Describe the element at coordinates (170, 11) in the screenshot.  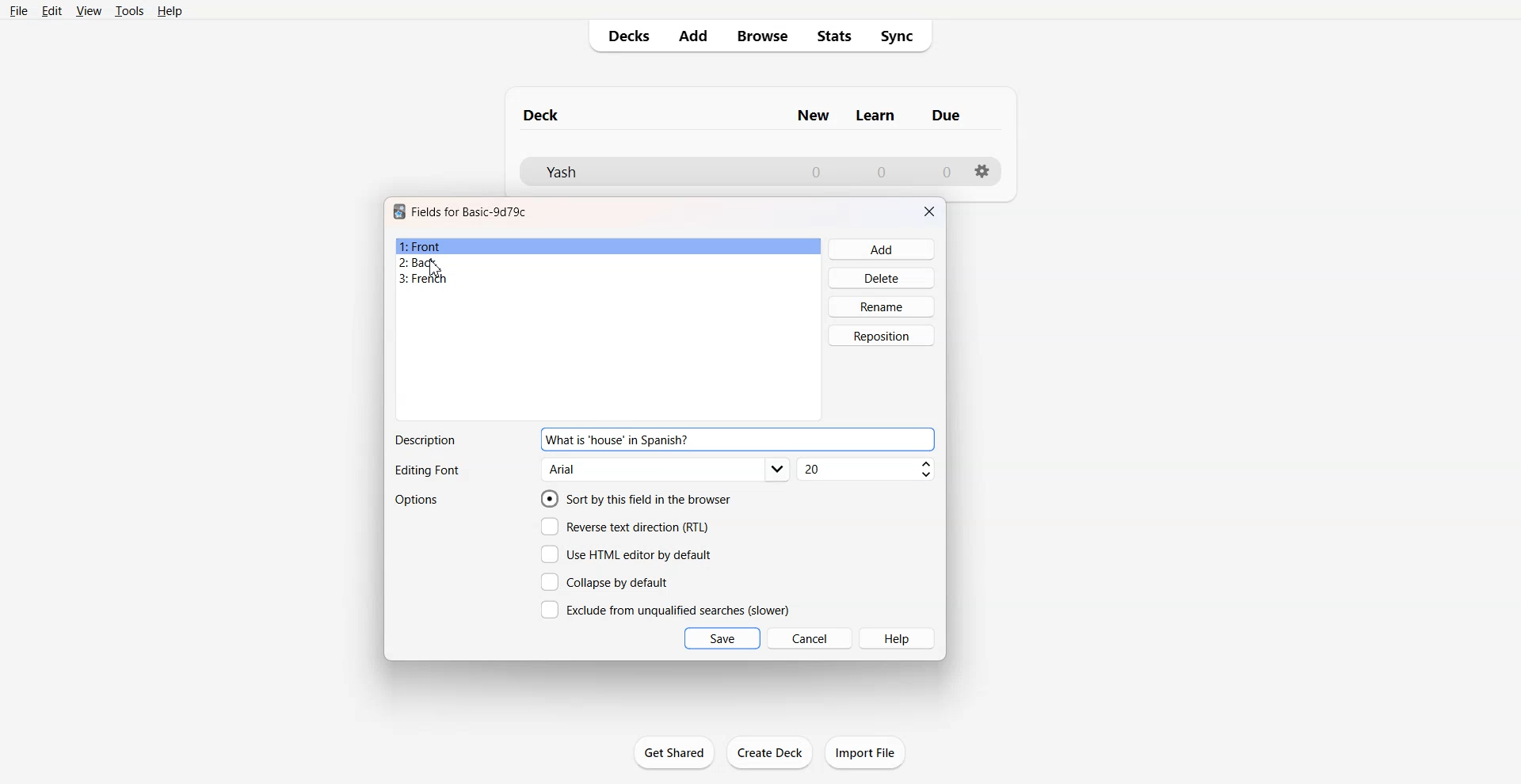
I see `Help` at that location.